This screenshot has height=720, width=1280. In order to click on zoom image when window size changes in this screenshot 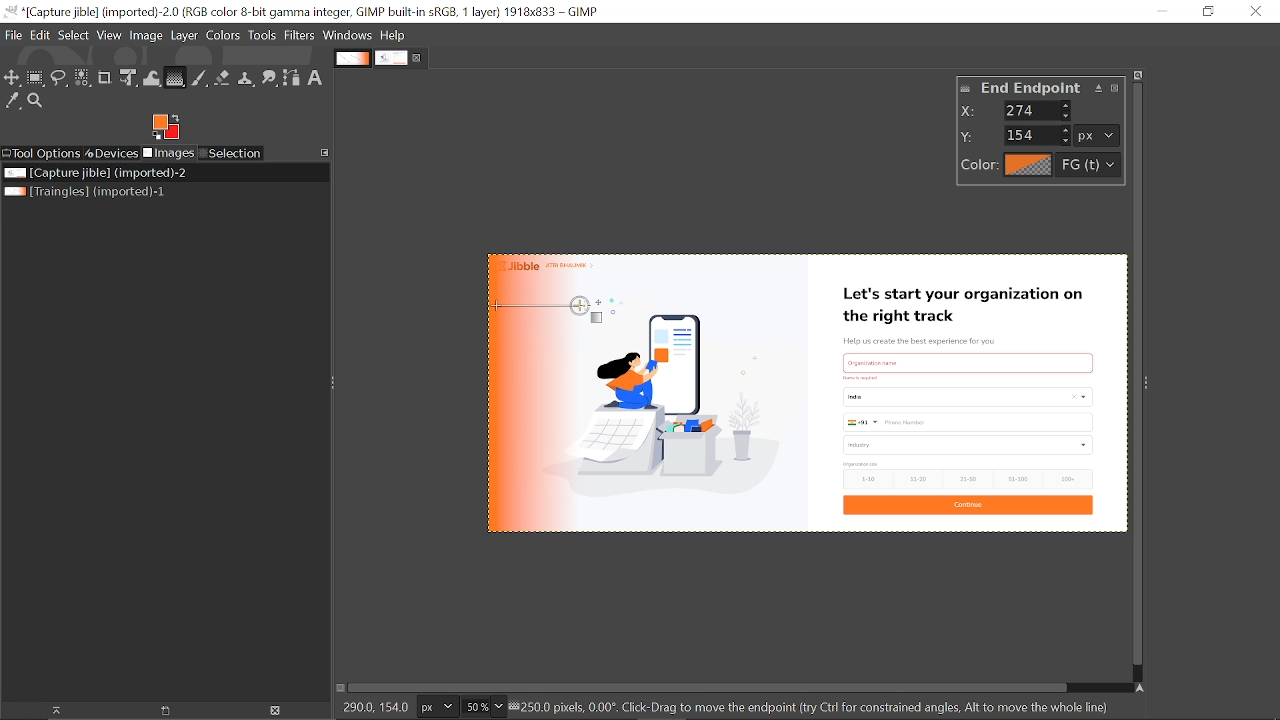, I will do `click(1139, 73)`.